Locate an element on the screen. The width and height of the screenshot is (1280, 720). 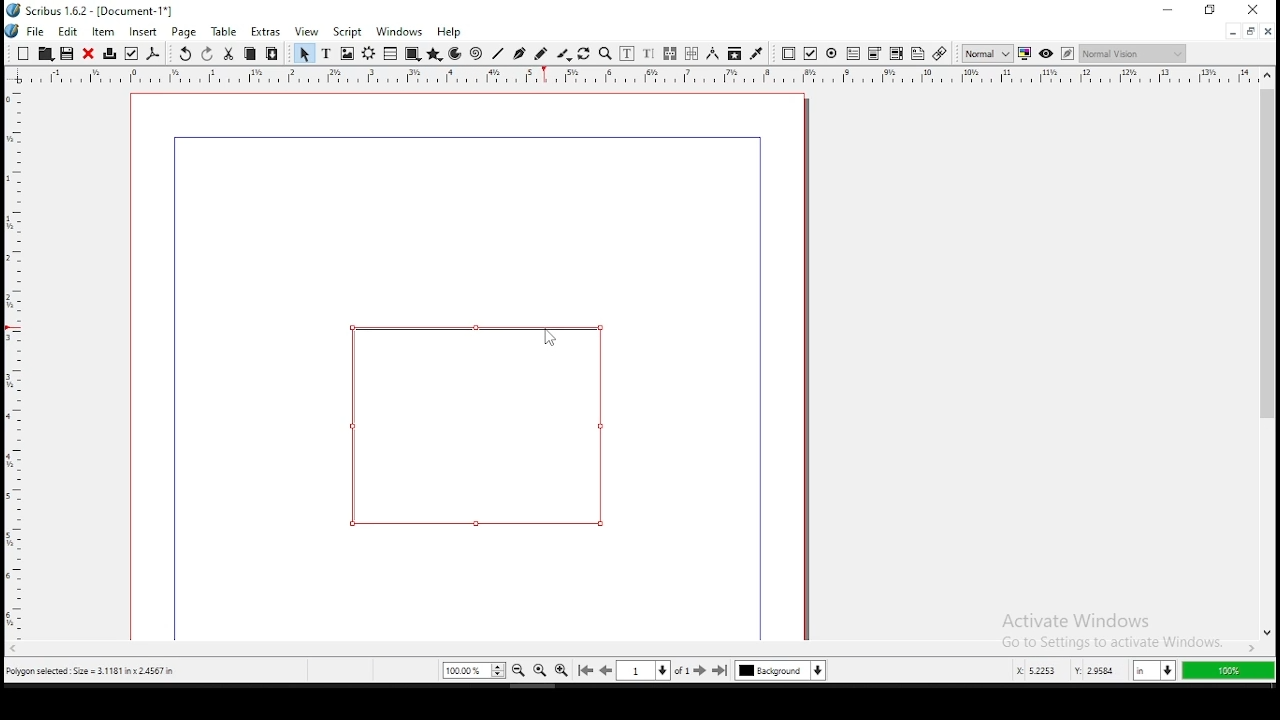
select current layer is located at coordinates (780, 670).